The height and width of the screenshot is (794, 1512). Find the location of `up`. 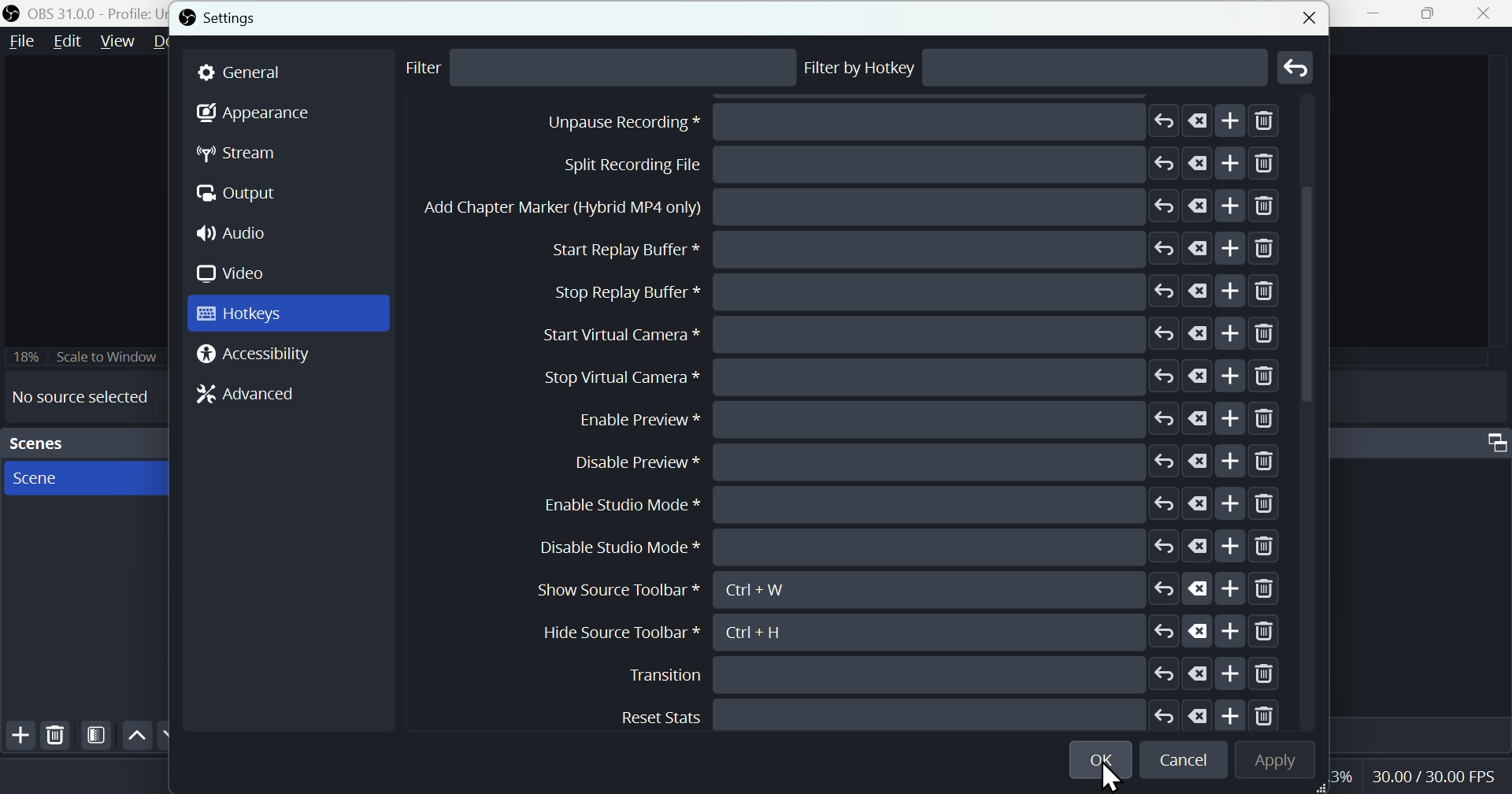

up is located at coordinates (136, 736).